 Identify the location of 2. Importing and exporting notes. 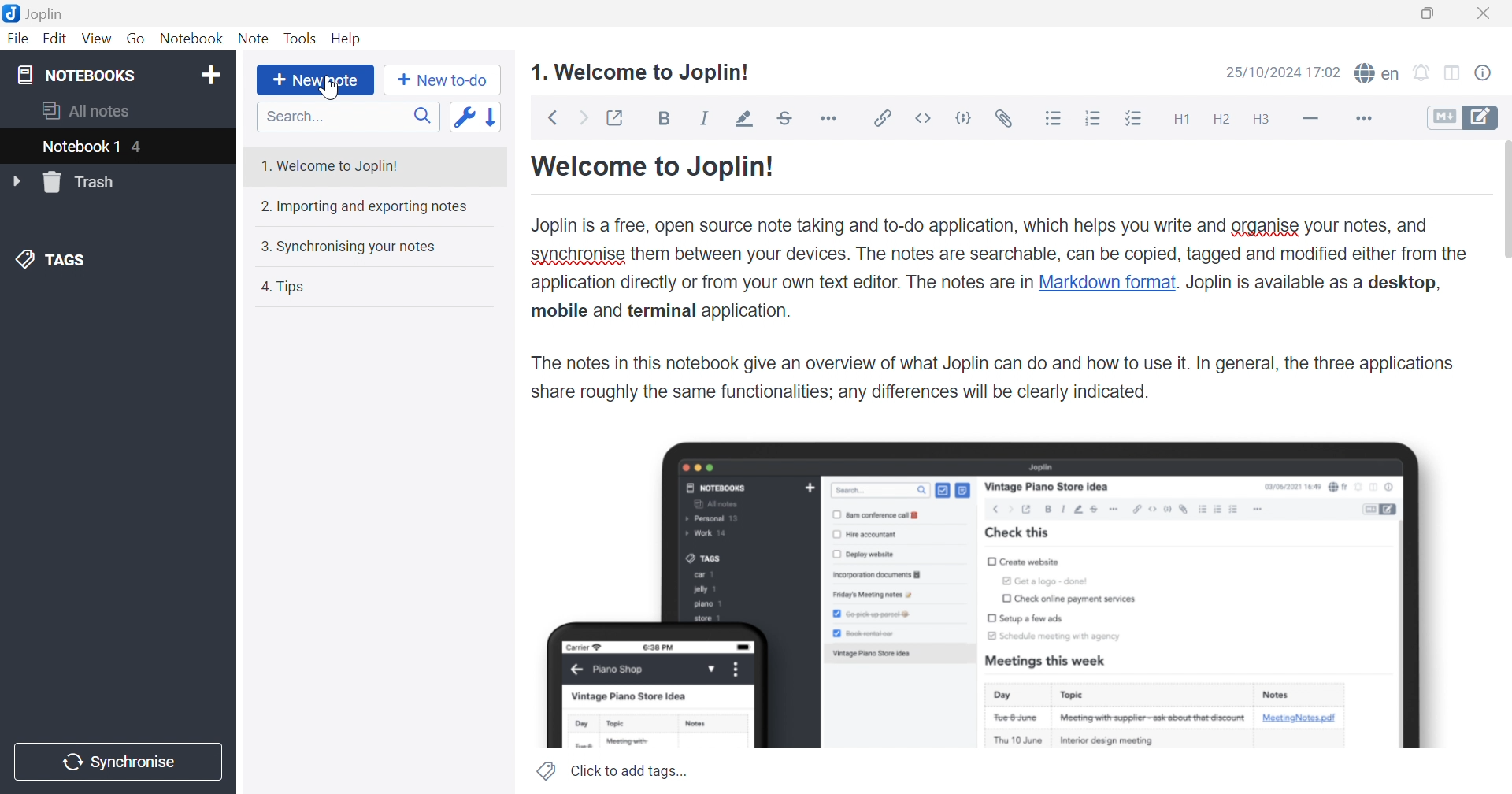
(367, 206).